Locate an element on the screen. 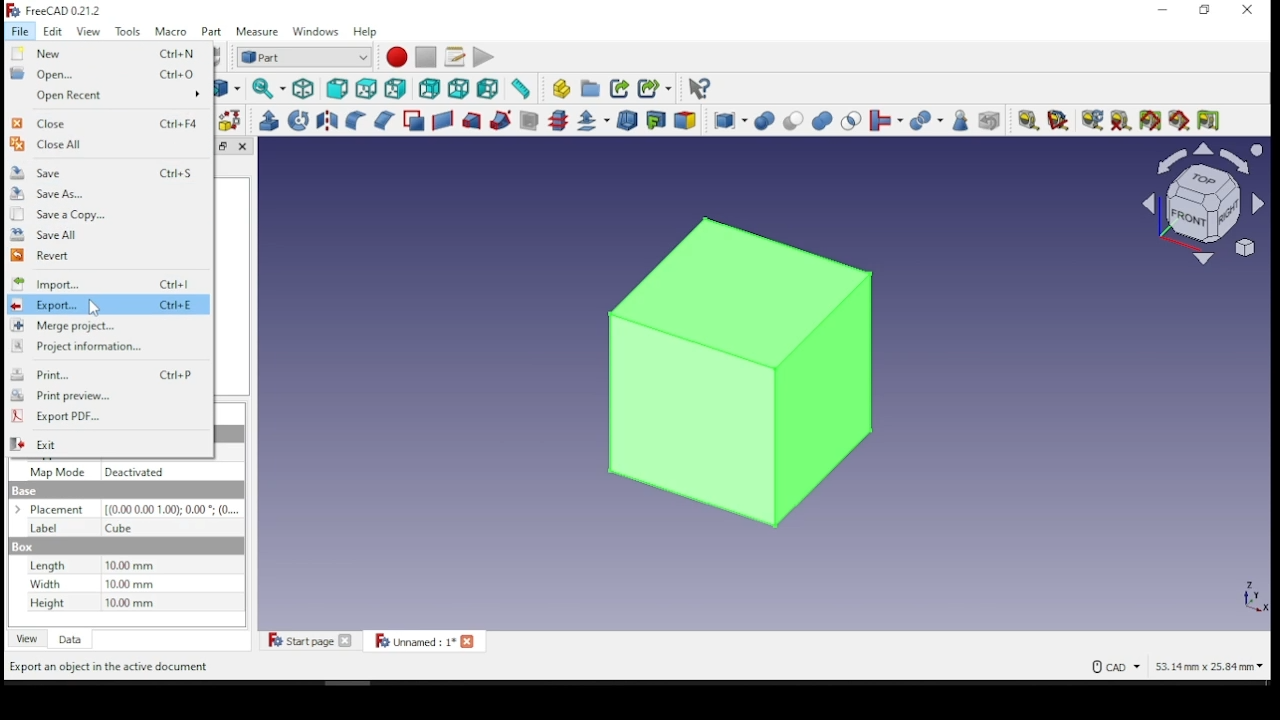 This screenshot has height=720, width=1280. print preview is located at coordinates (106, 398).